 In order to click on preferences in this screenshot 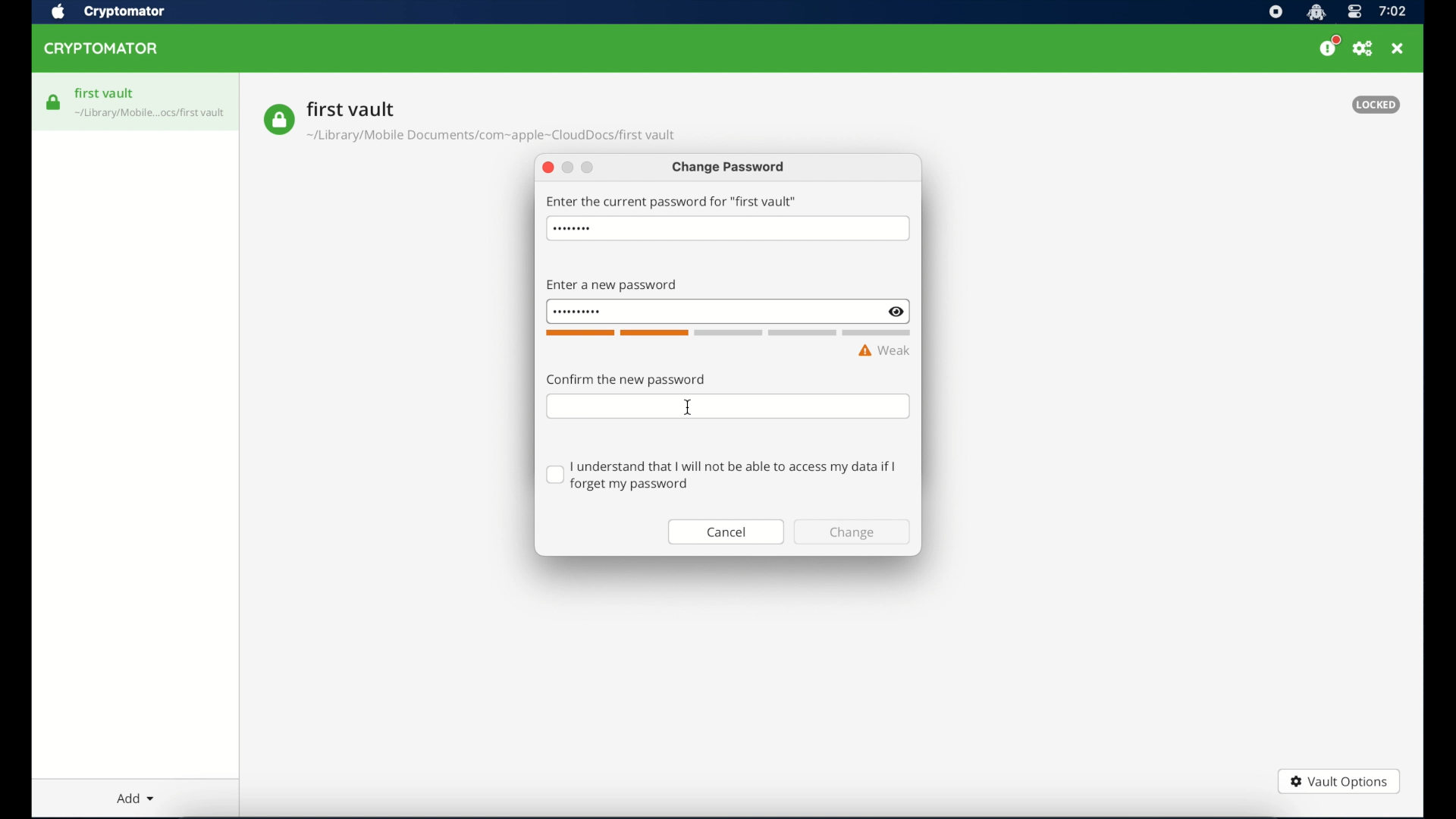, I will do `click(1363, 49)`.